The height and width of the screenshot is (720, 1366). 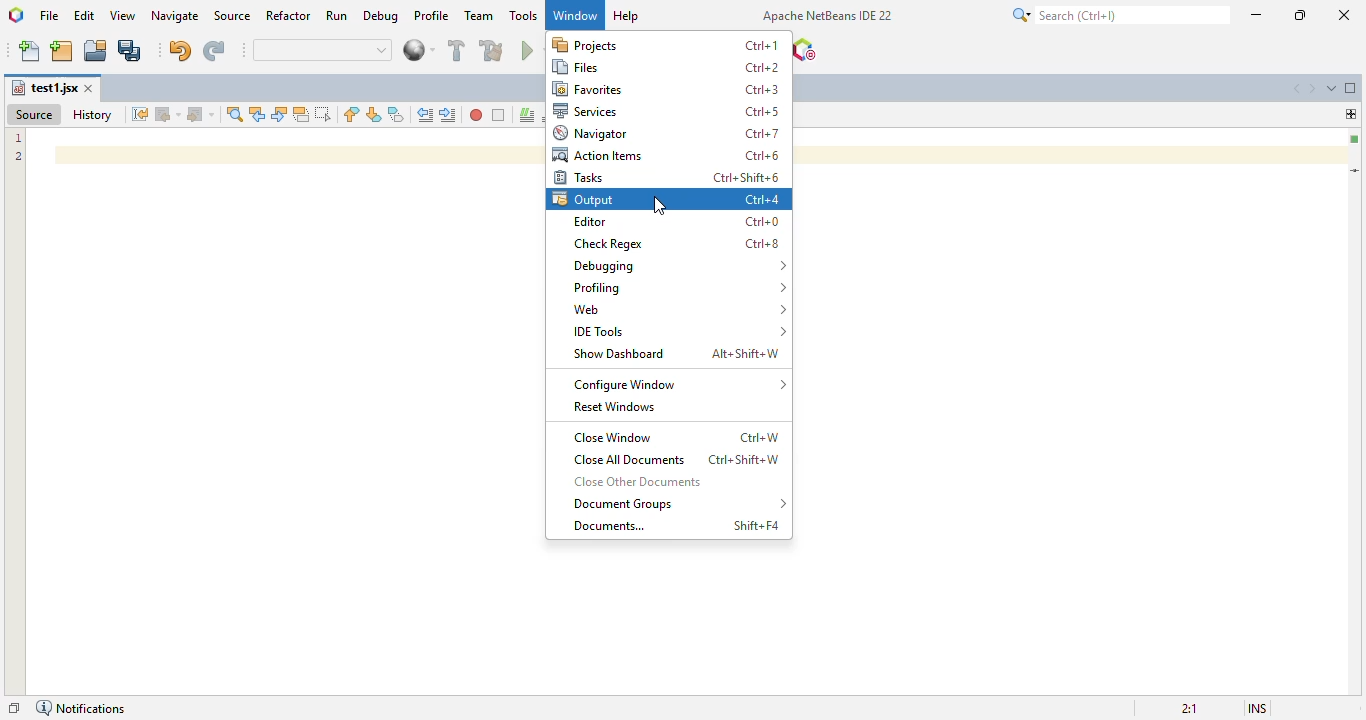 I want to click on scroll documents left, so click(x=1298, y=89).